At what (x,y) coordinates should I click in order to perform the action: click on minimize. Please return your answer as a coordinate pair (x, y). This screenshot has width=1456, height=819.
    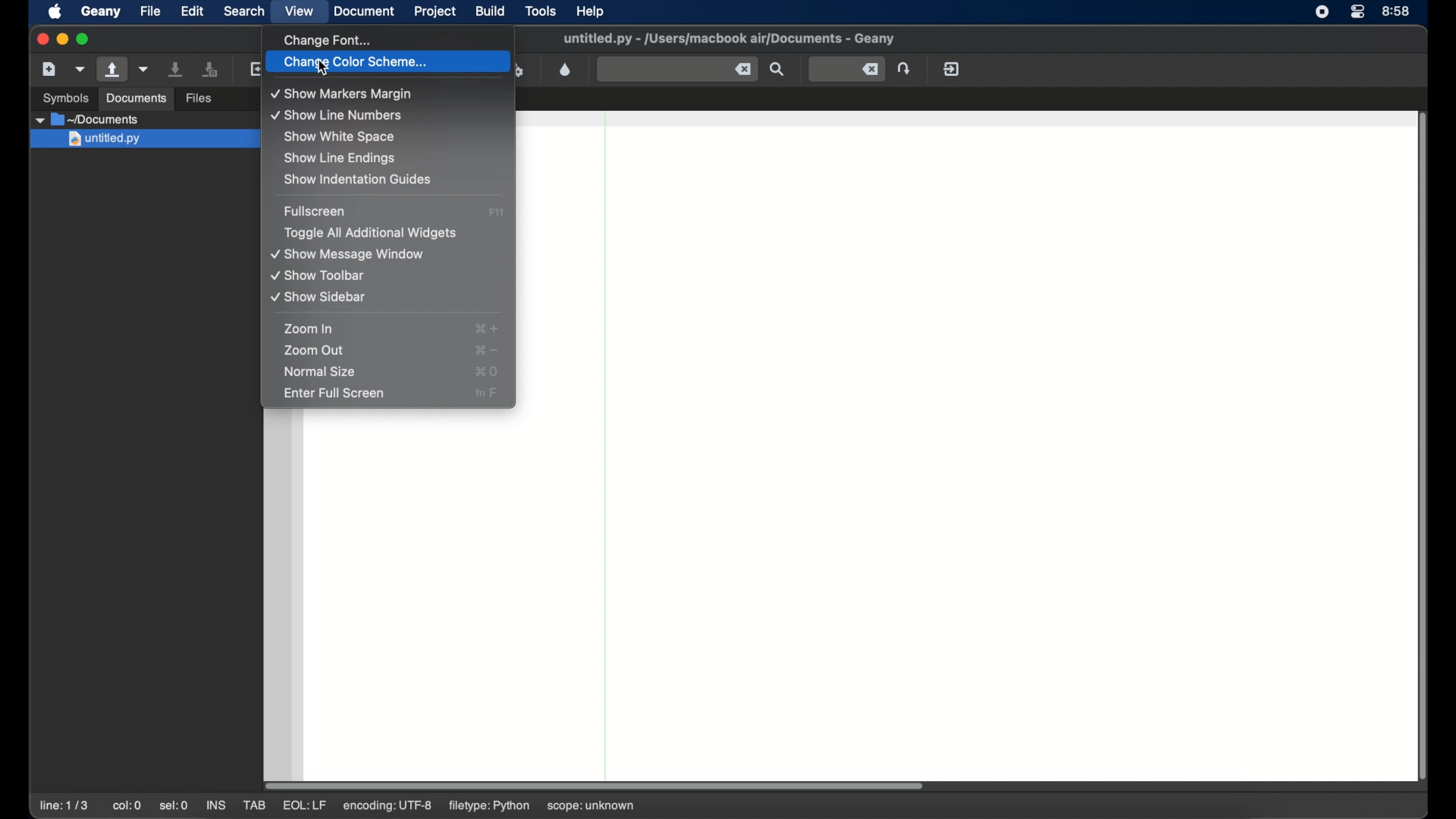
    Looking at the image, I should click on (62, 39).